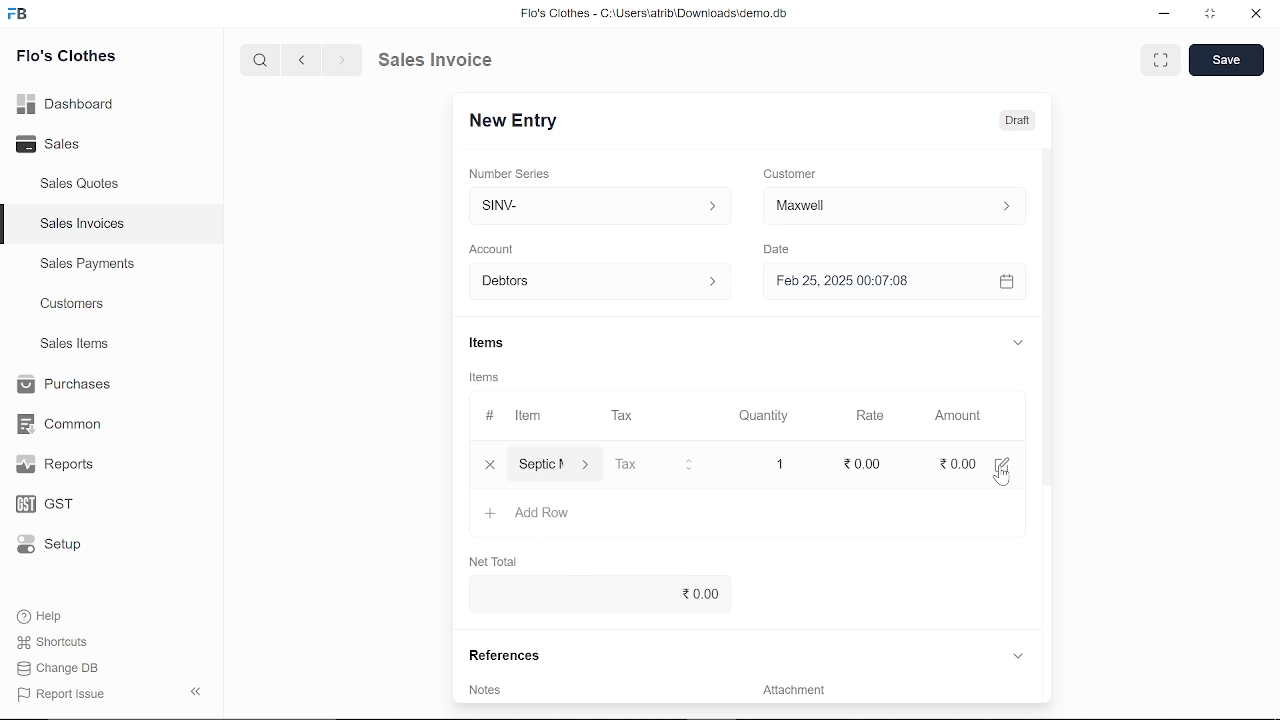  Describe the element at coordinates (1017, 655) in the screenshot. I see `expand reference` at that location.